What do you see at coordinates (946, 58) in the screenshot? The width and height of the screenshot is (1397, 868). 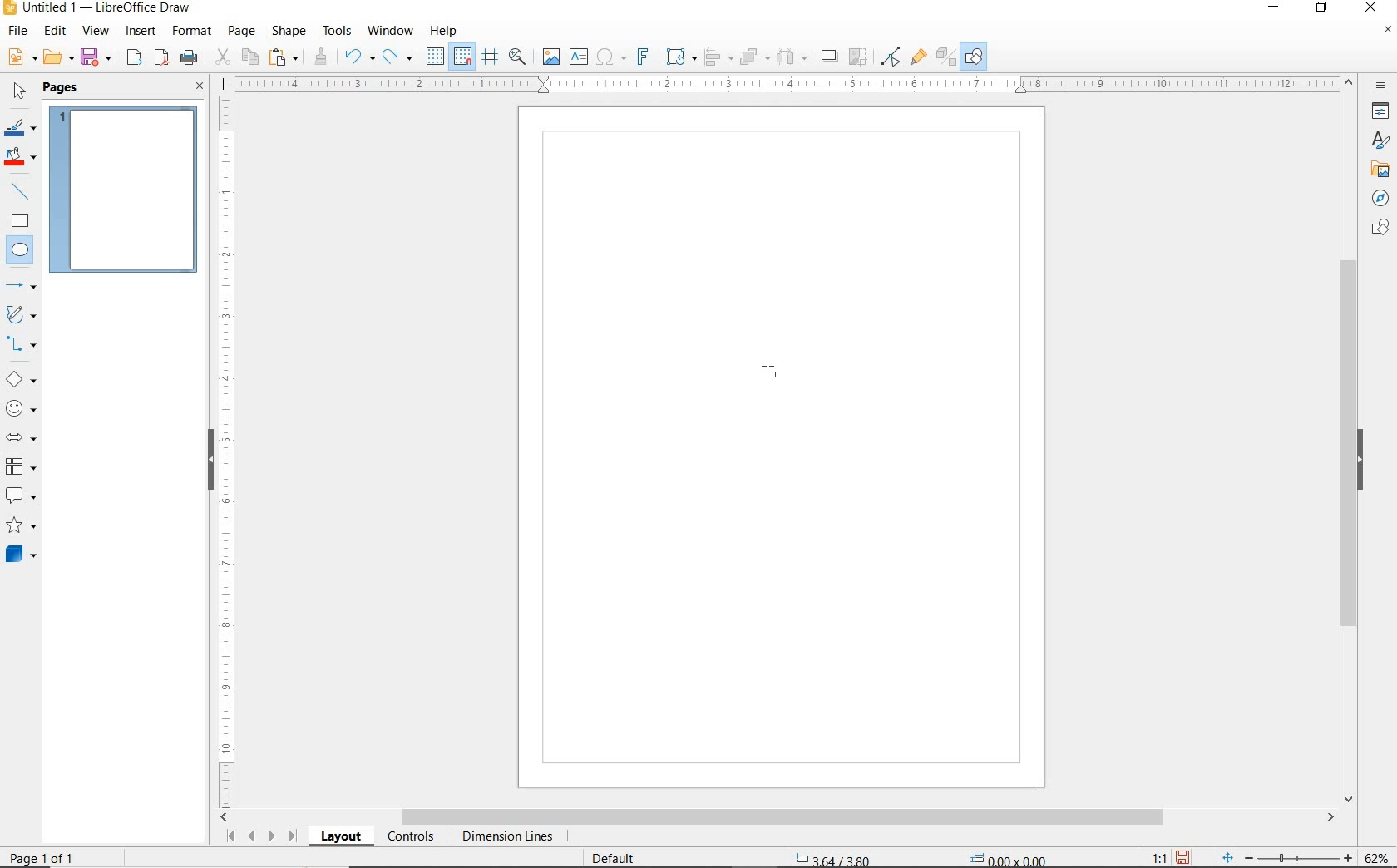 I see `TOGGLE EXTRUSION` at bounding box center [946, 58].